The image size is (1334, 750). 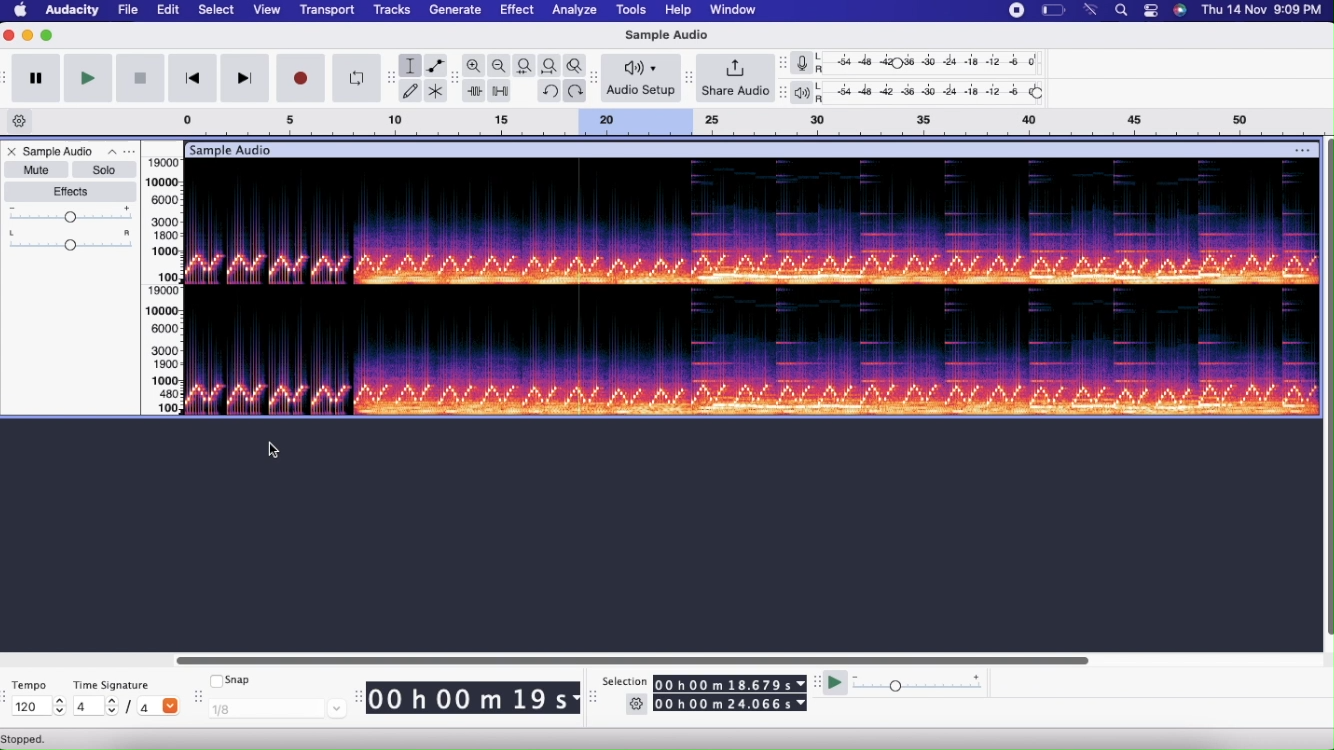 I want to click on Audacity, so click(x=73, y=11).